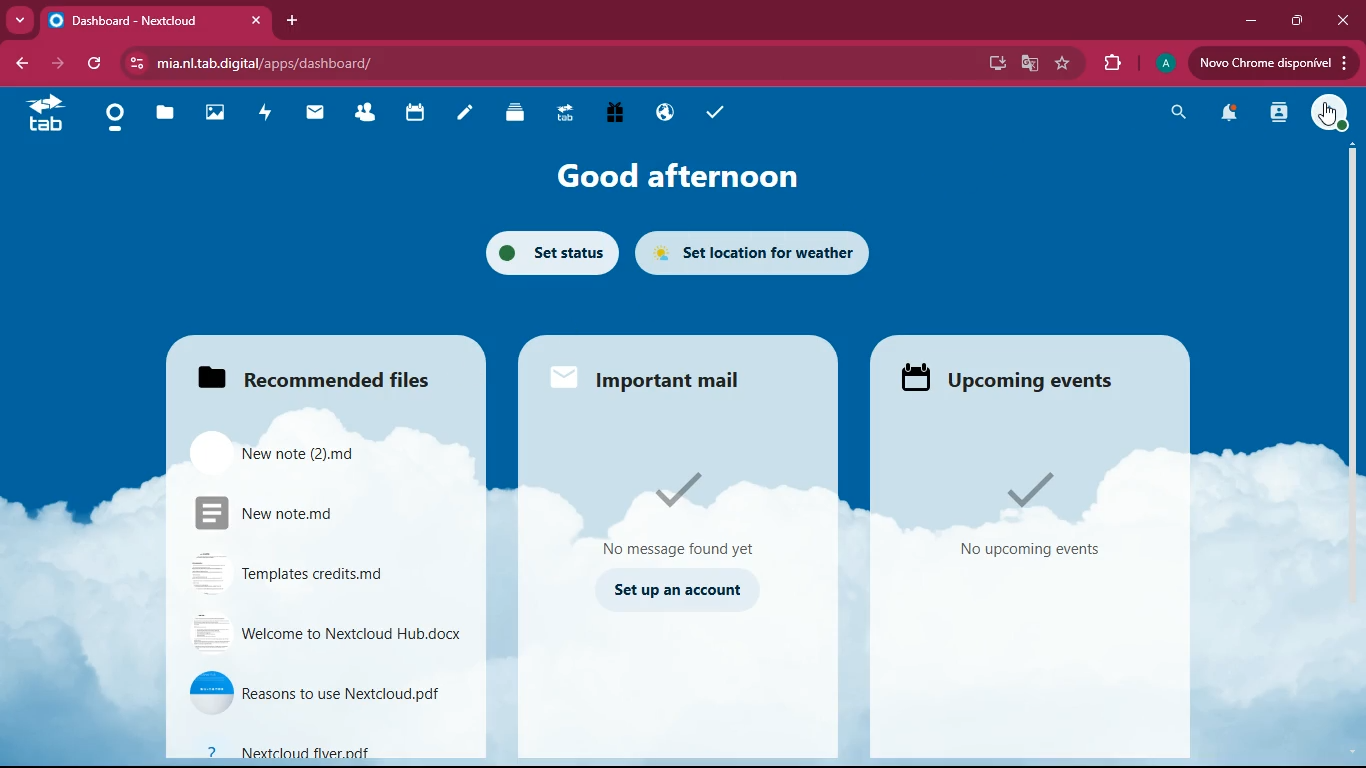  What do you see at coordinates (1229, 115) in the screenshot?
I see `notifications` at bounding box center [1229, 115].